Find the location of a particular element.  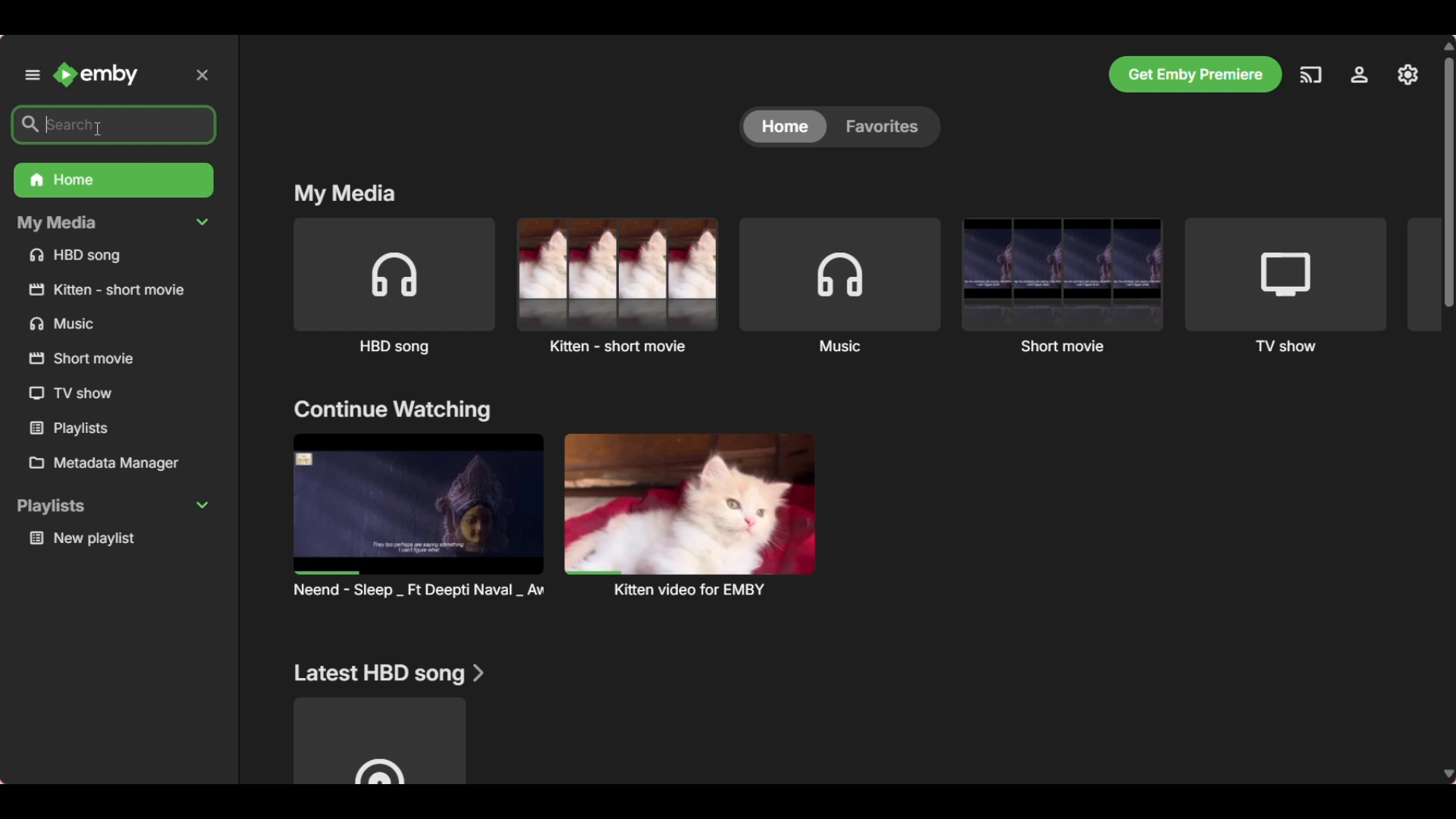

Delete inputs is located at coordinates (202, 74).